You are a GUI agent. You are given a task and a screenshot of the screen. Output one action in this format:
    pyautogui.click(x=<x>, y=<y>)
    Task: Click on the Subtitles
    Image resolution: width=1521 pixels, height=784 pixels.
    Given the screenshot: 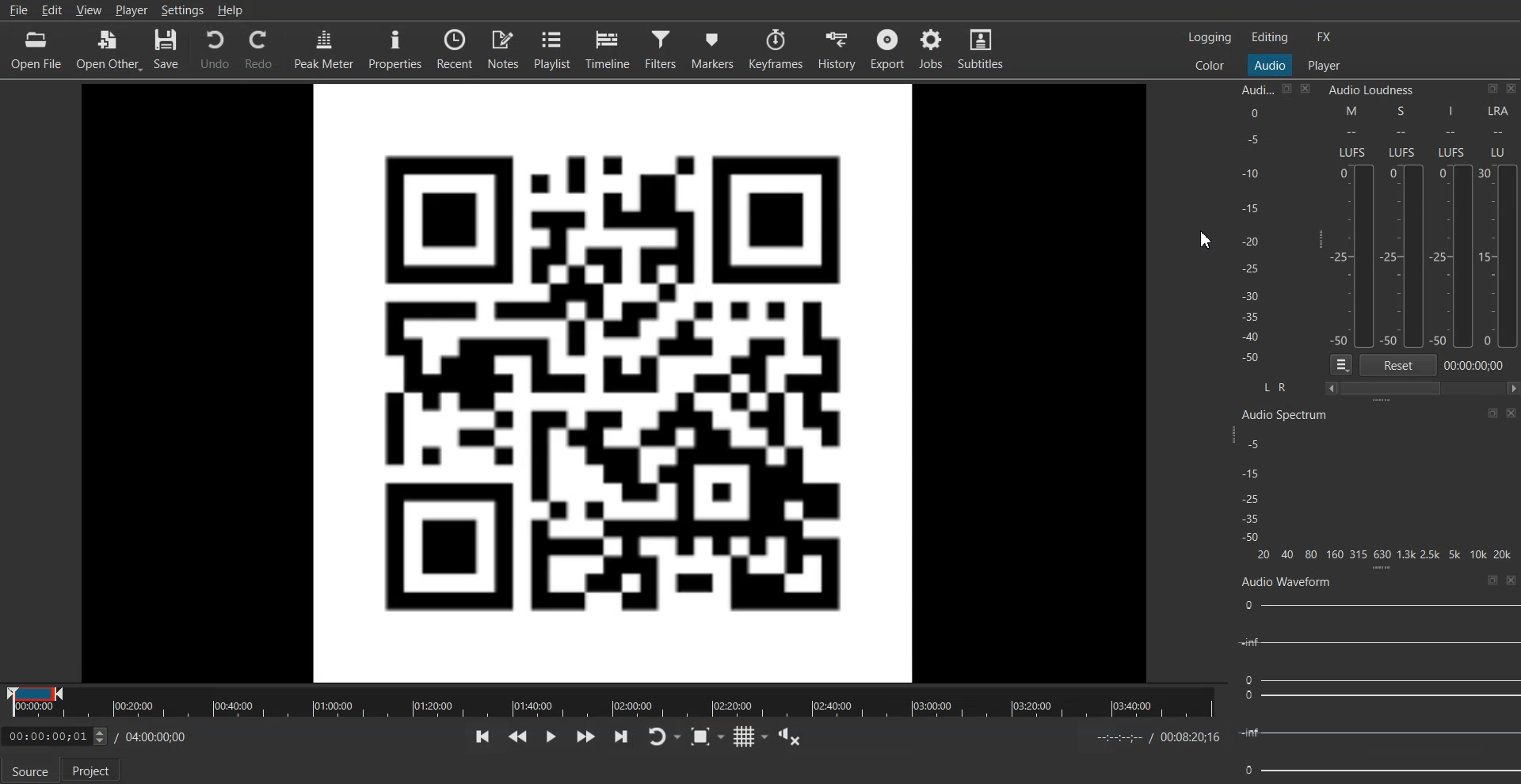 What is the action you would take?
    pyautogui.click(x=981, y=49)
    